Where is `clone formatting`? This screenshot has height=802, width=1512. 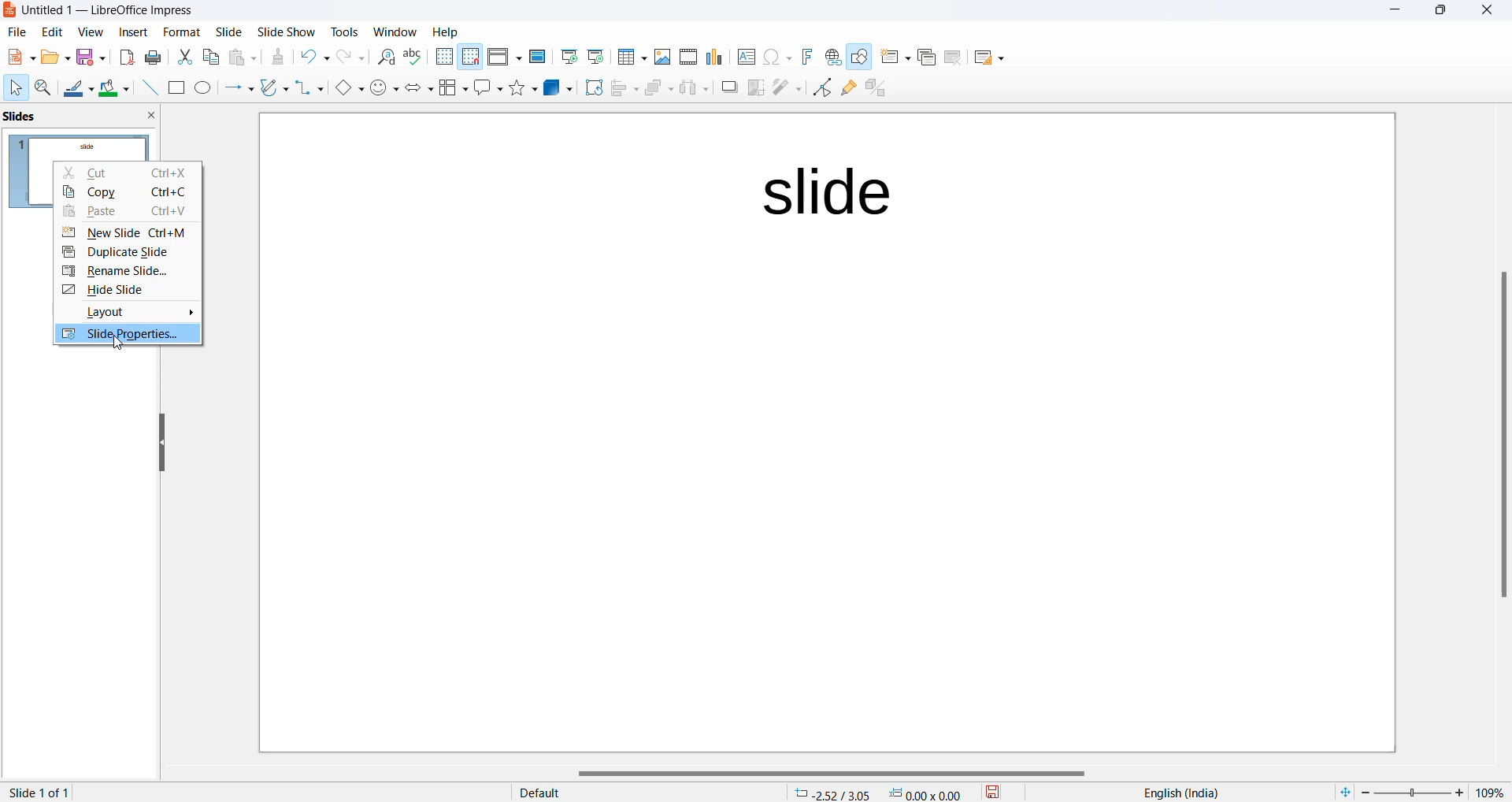 clone formatting is located at coordinates (277, 59).